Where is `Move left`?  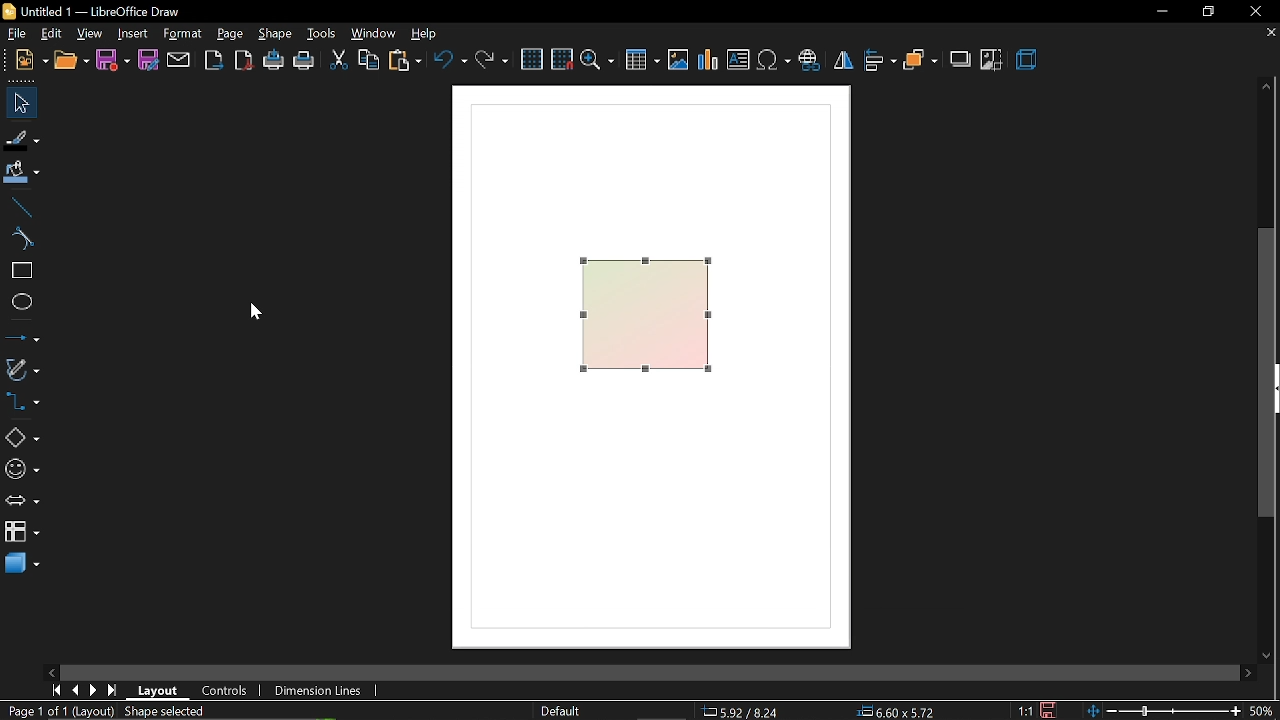
Move left is located at coordinates (54, 670).